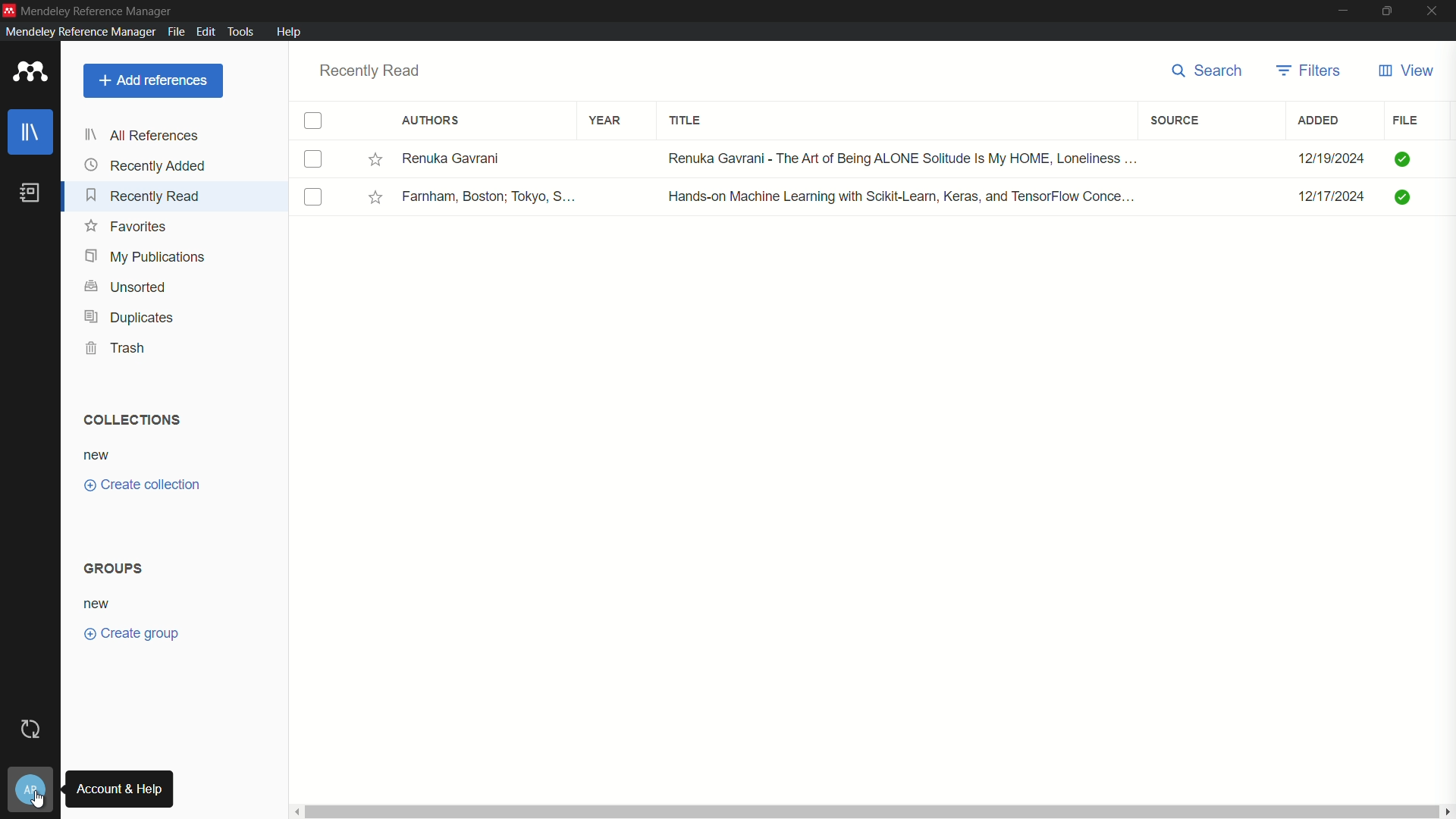 This screenshot has height=819, width=1456. I want to click on filters, so click(1311, 72).